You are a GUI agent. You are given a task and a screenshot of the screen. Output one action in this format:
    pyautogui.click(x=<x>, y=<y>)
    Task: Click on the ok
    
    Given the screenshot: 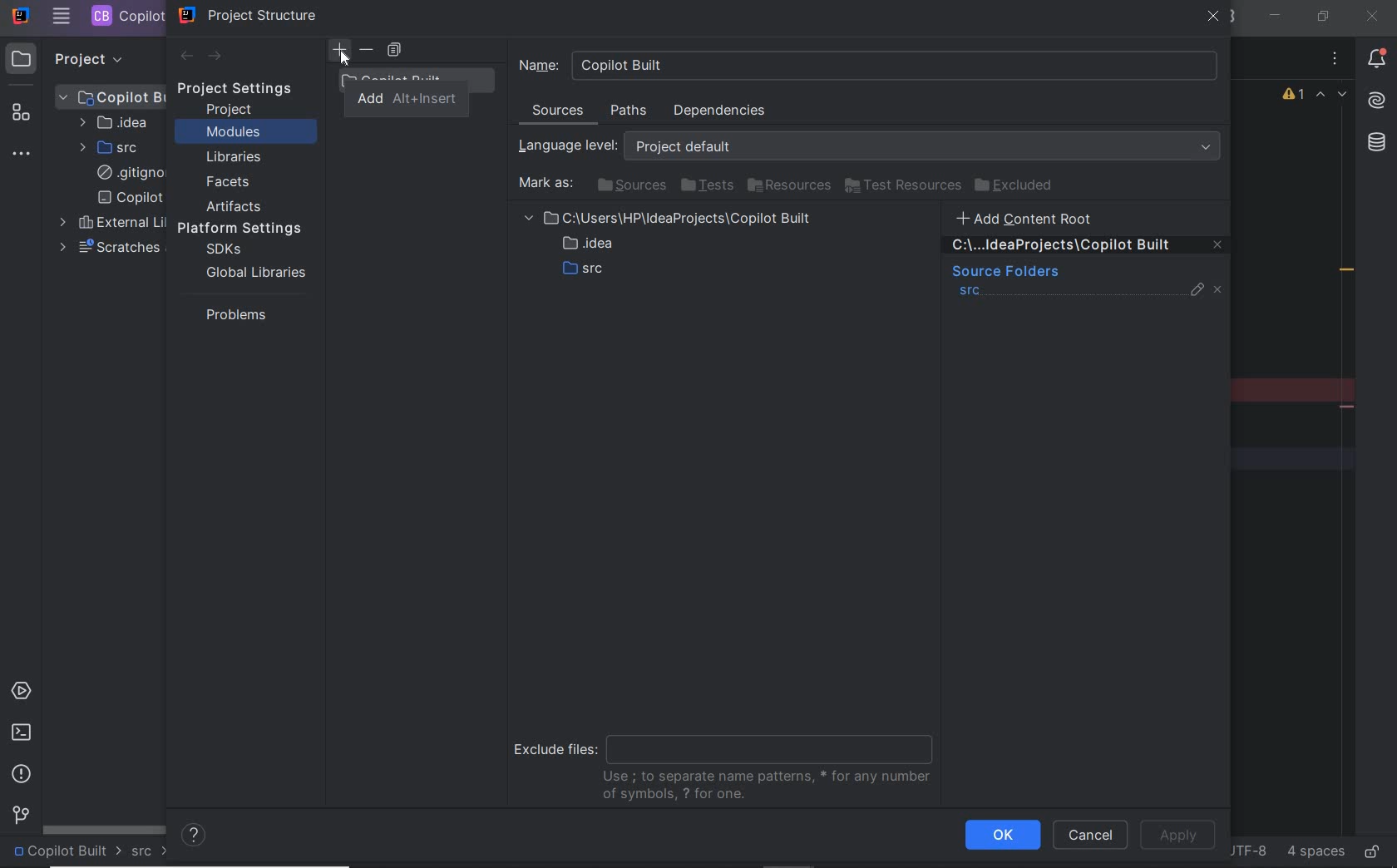 What is the action you would take?
    pyautogui.click(x=1002, y=835)
    